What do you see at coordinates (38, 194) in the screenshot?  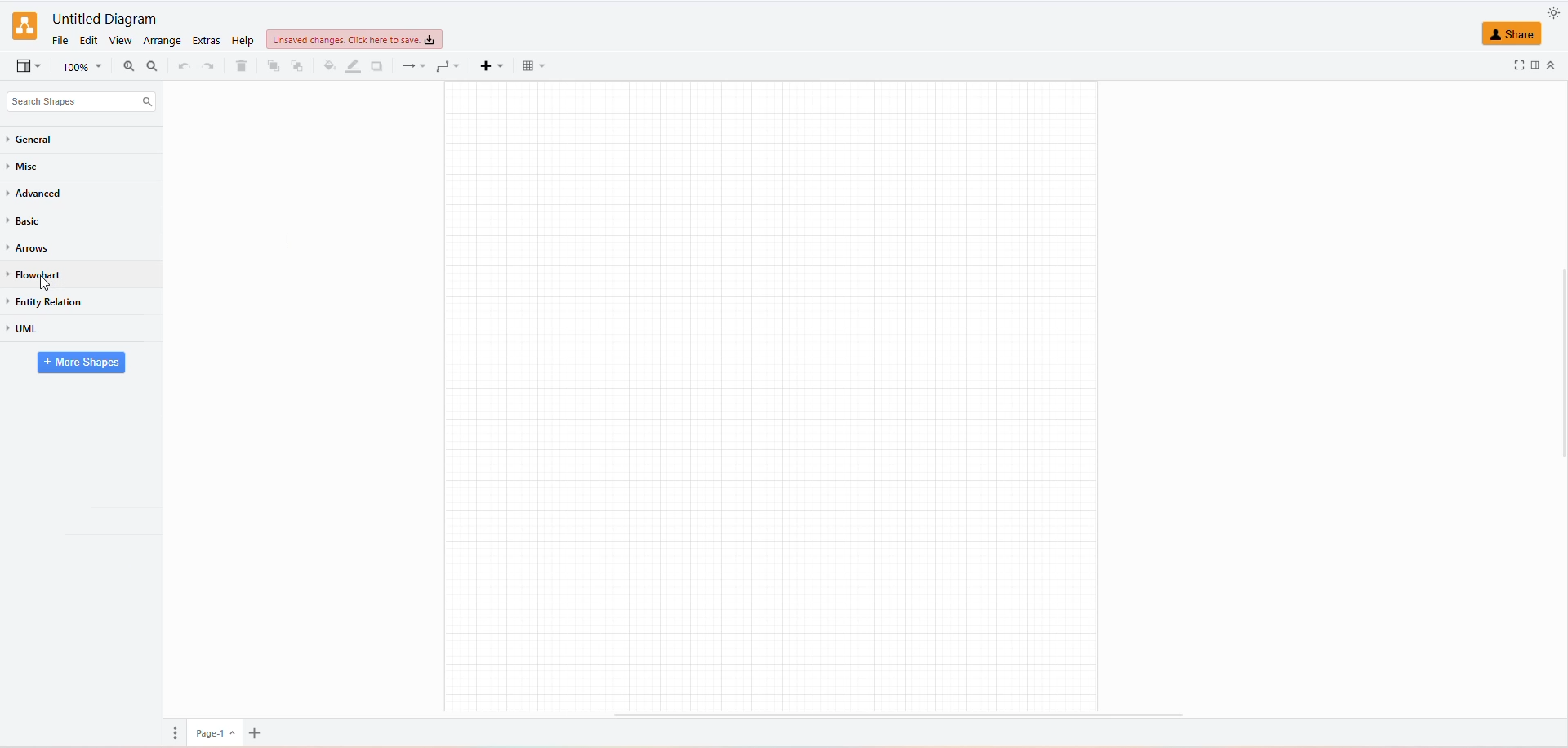 I see `ADVANCED` at bounding box center [38, 194].